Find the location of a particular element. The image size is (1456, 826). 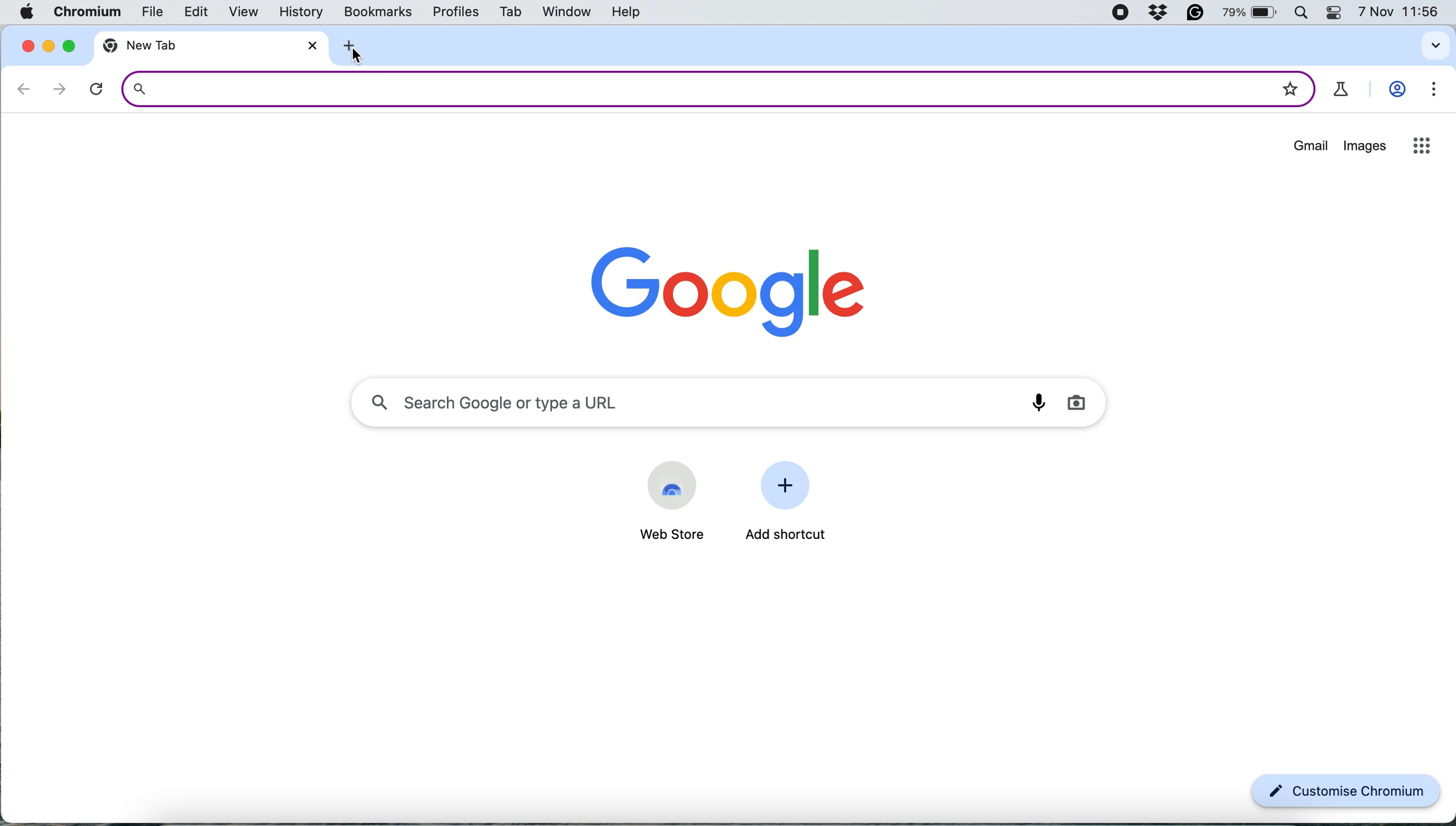

add shortcut is located at coordinates (790, 487).